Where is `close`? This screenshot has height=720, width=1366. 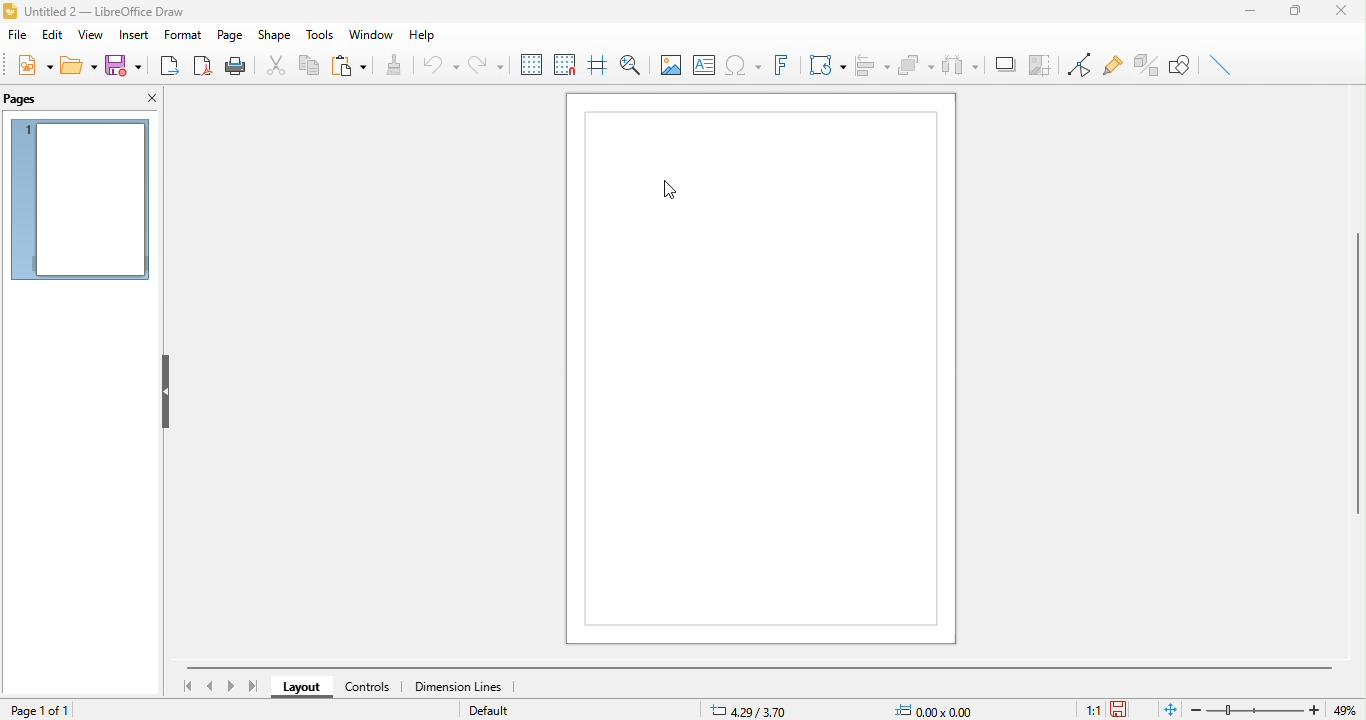
close is located at coordinates (1344, 13).